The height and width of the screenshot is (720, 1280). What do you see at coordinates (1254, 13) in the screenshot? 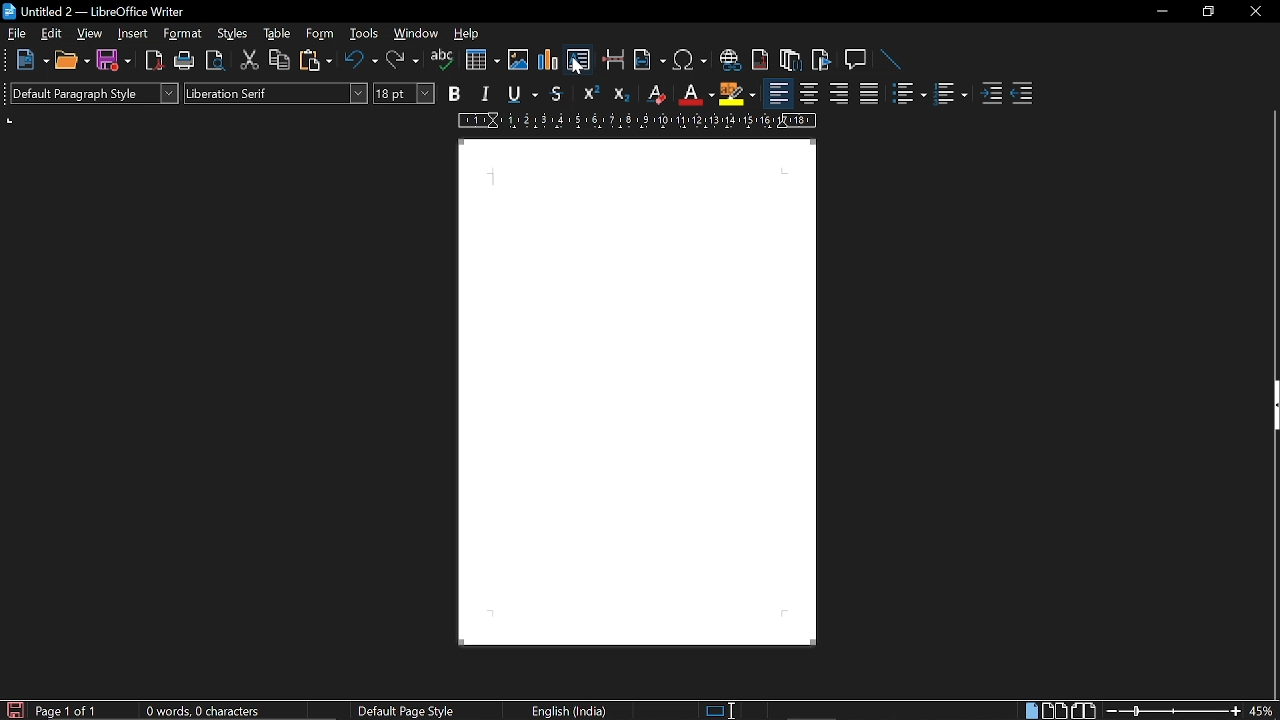
I see `close` at bounding box center [1254, 13].